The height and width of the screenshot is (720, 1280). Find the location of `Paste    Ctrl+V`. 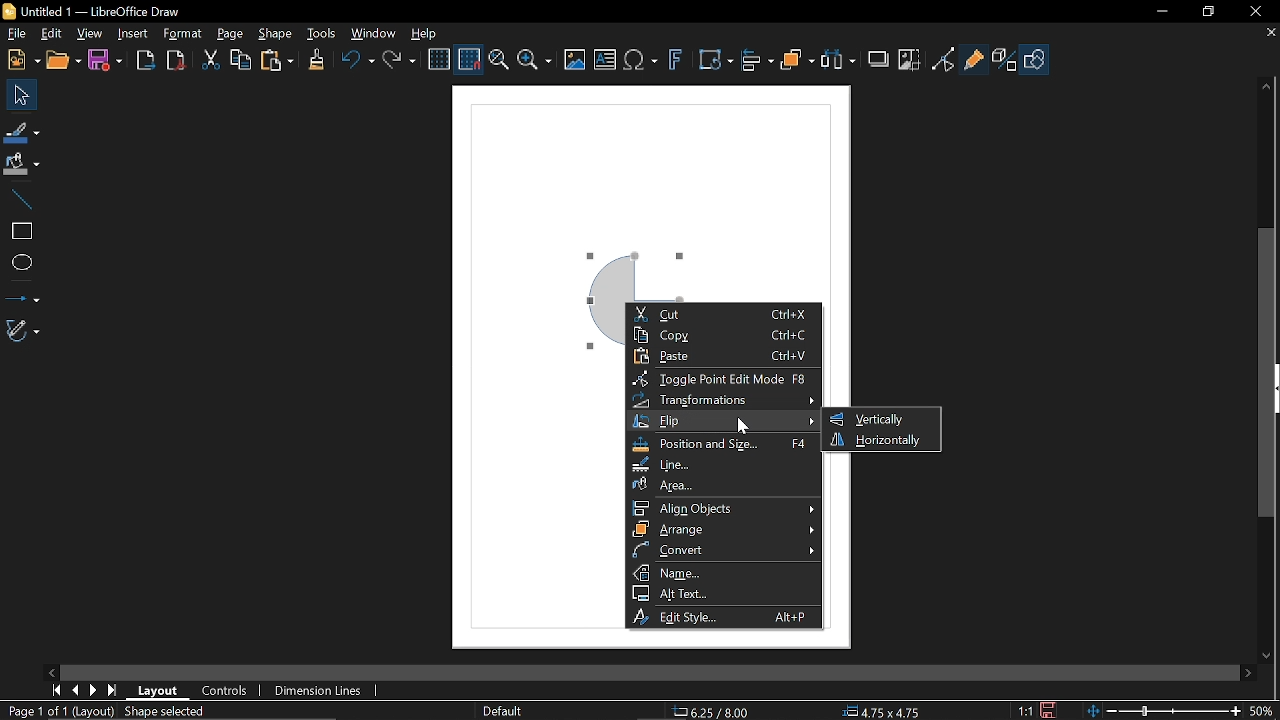

Paste    Ctrl+V is located at coordinates (723, 357).